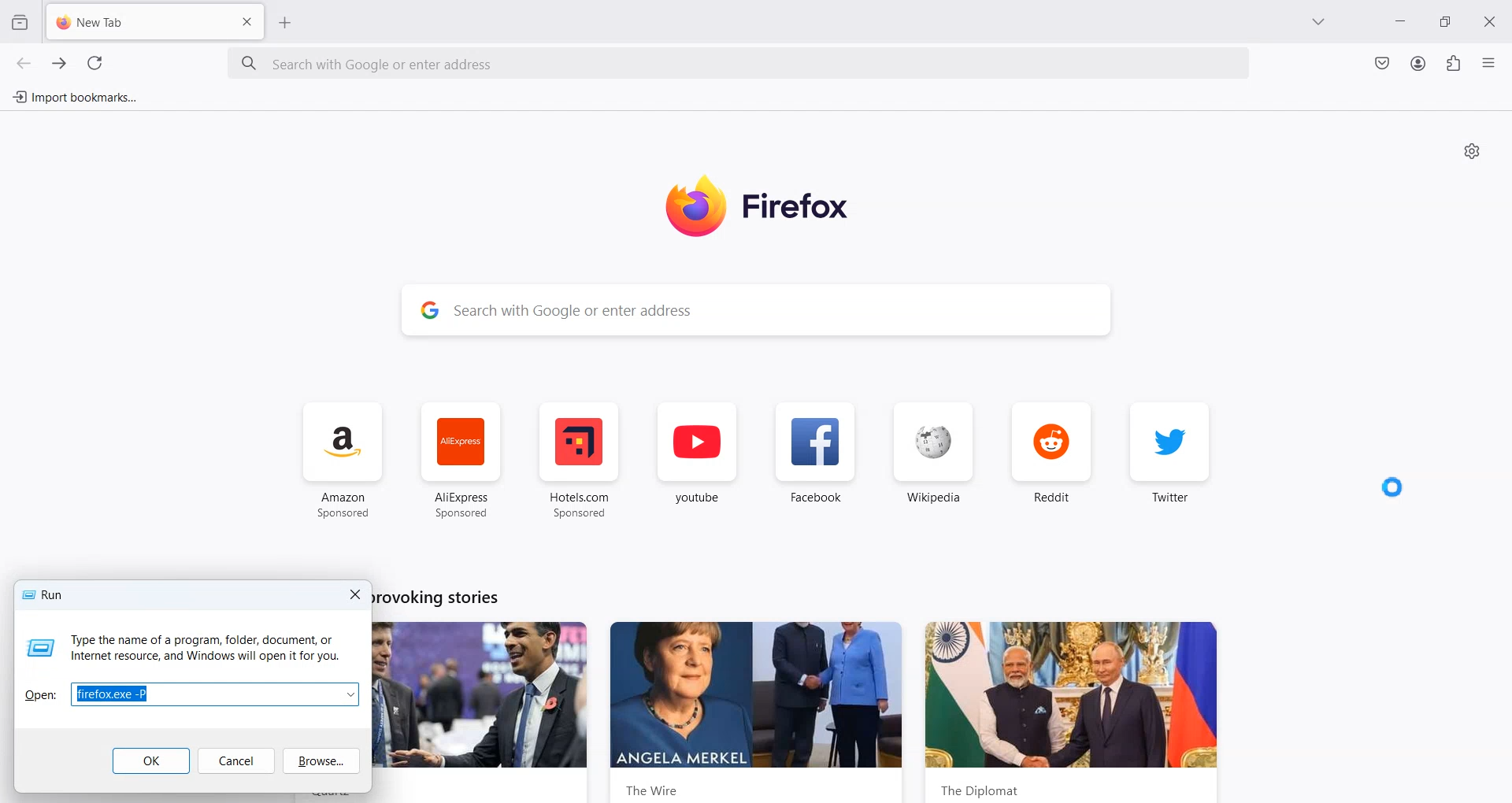 The image size is (1512, 803). What do you see at coordinates (344, 461) in the screenshot?
I see `Amazon Sponsored` at bounding box center [344, 461].